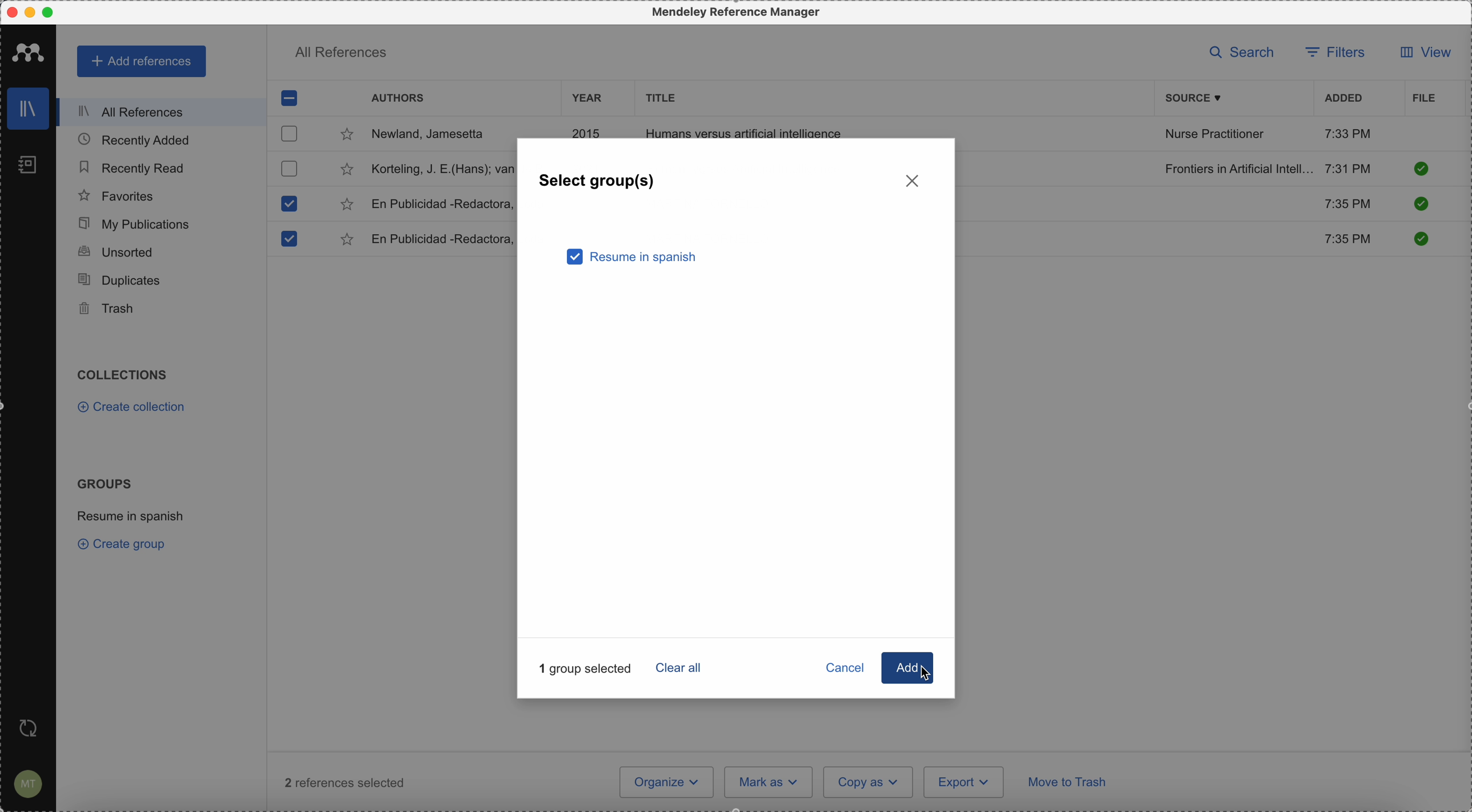 The height and width of the screenshot is (812, 1472). I want to click on resume in spanish selected, so click(634, 258).